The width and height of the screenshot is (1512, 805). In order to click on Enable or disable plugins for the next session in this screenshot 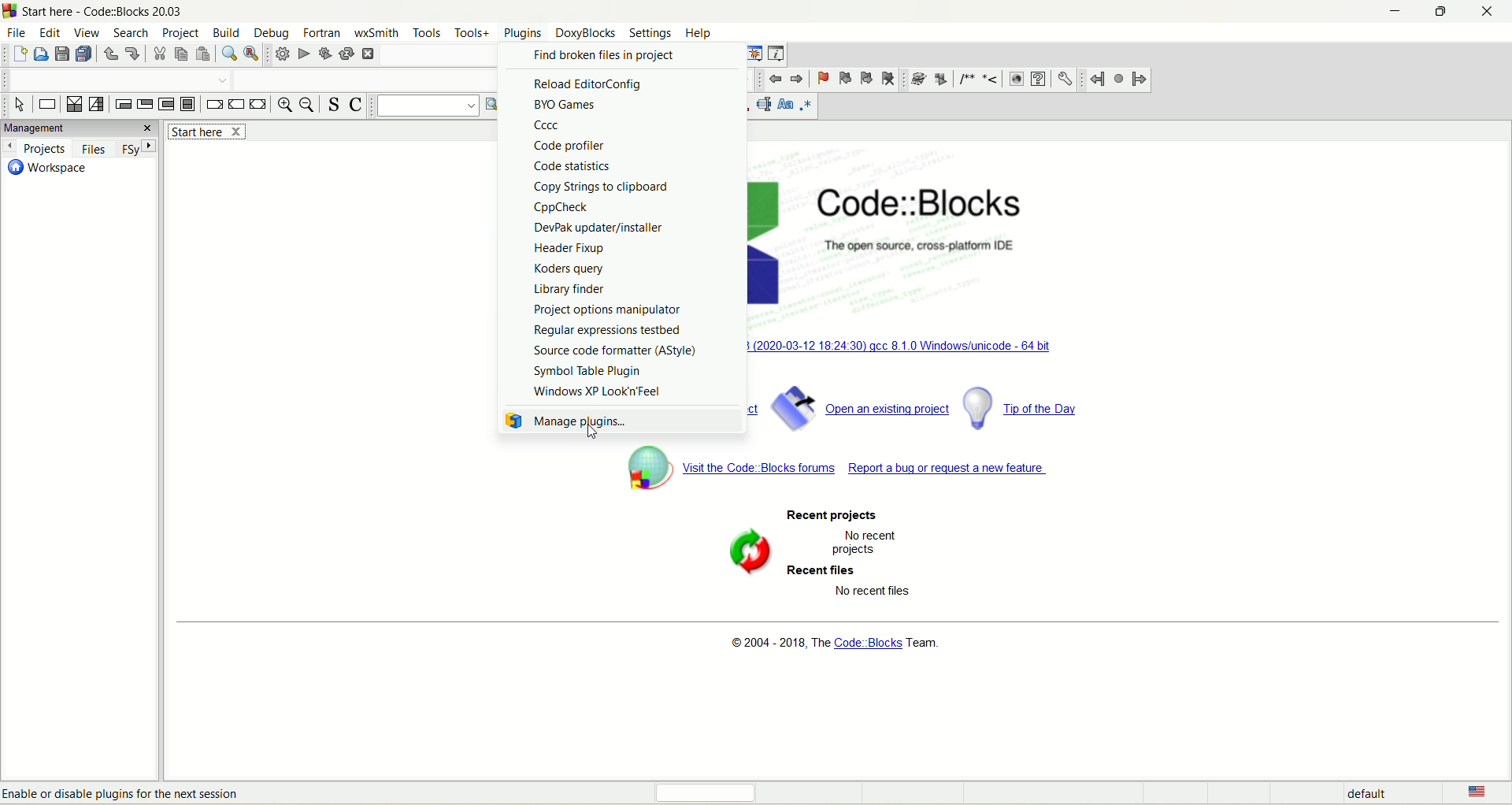, I will do `click(123, 792)`.